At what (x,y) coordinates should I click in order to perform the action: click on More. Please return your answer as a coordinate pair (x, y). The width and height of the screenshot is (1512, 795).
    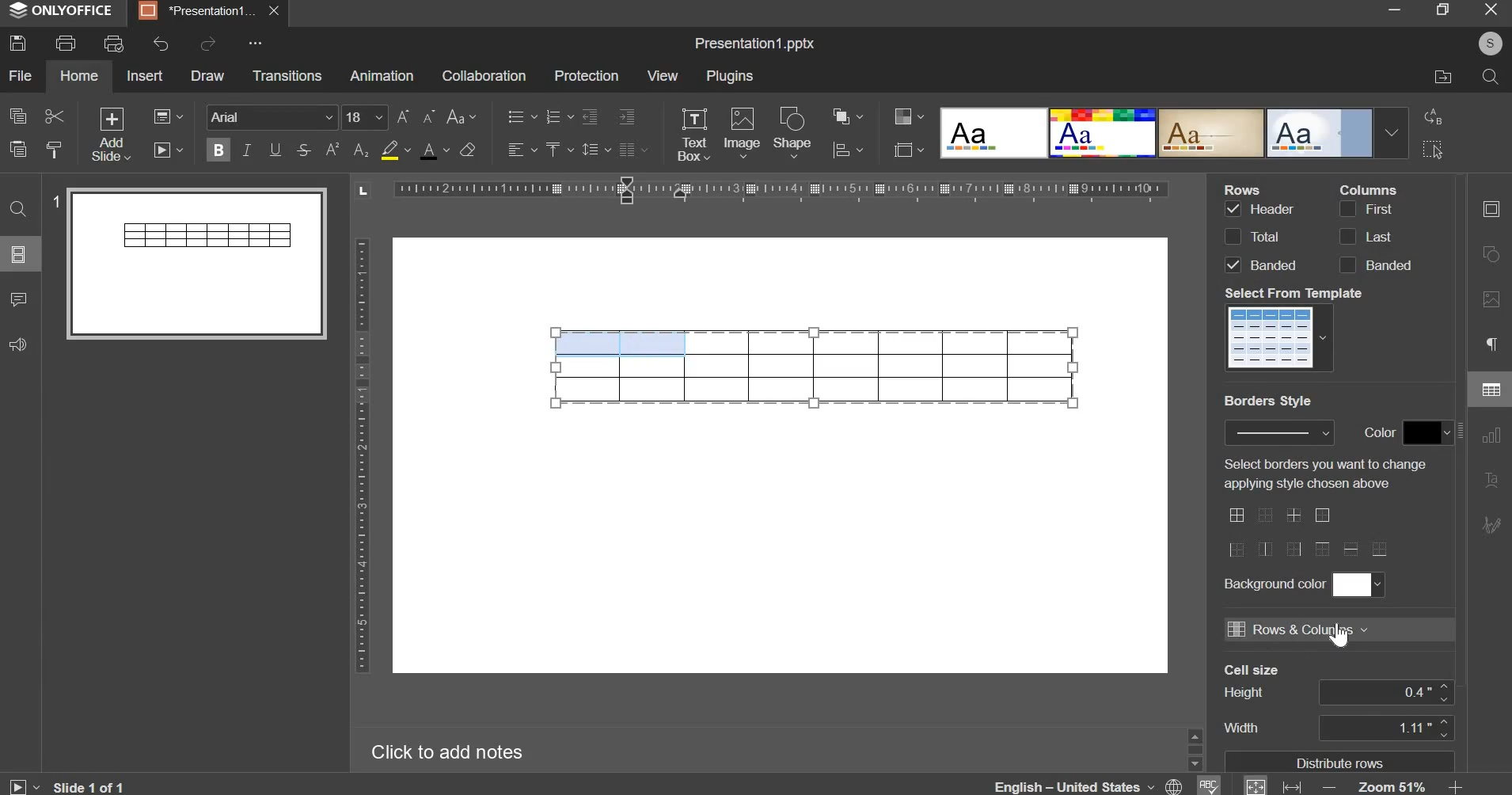
    Looking at the image, I should click on (253, 44).